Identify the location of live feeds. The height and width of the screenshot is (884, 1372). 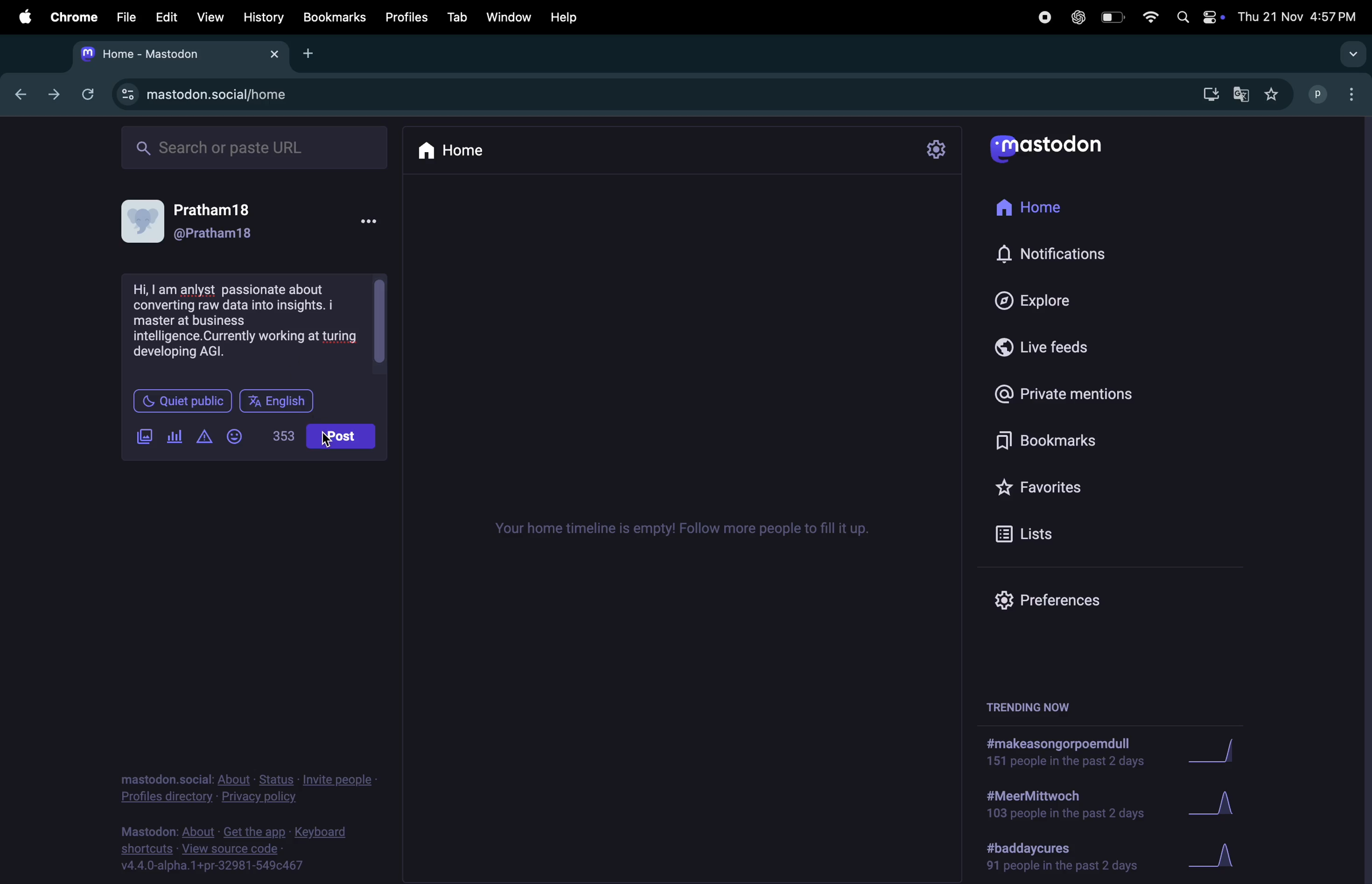
(1056, 348).